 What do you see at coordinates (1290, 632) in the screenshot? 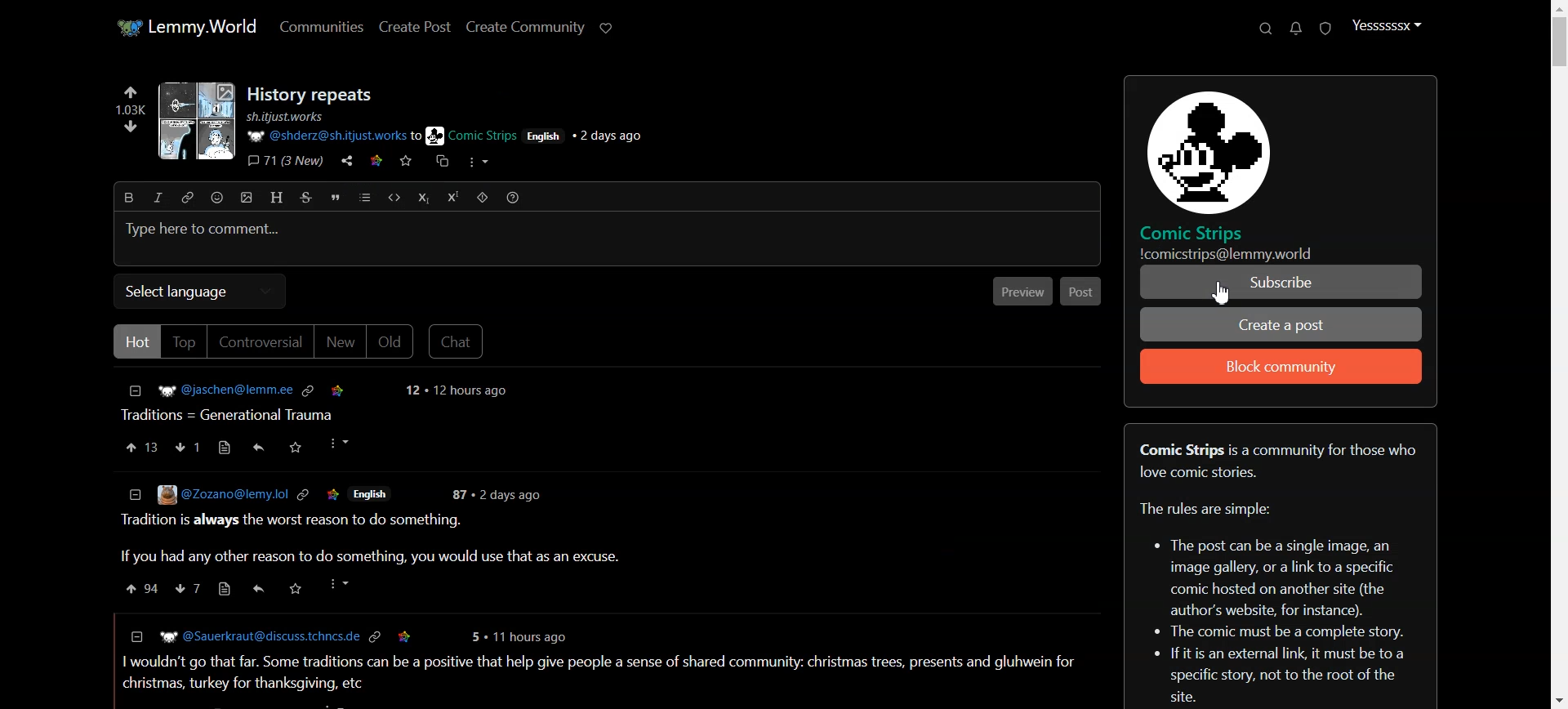
I see `« The comic must be a complete story.` at bounding box center [1290, 632].